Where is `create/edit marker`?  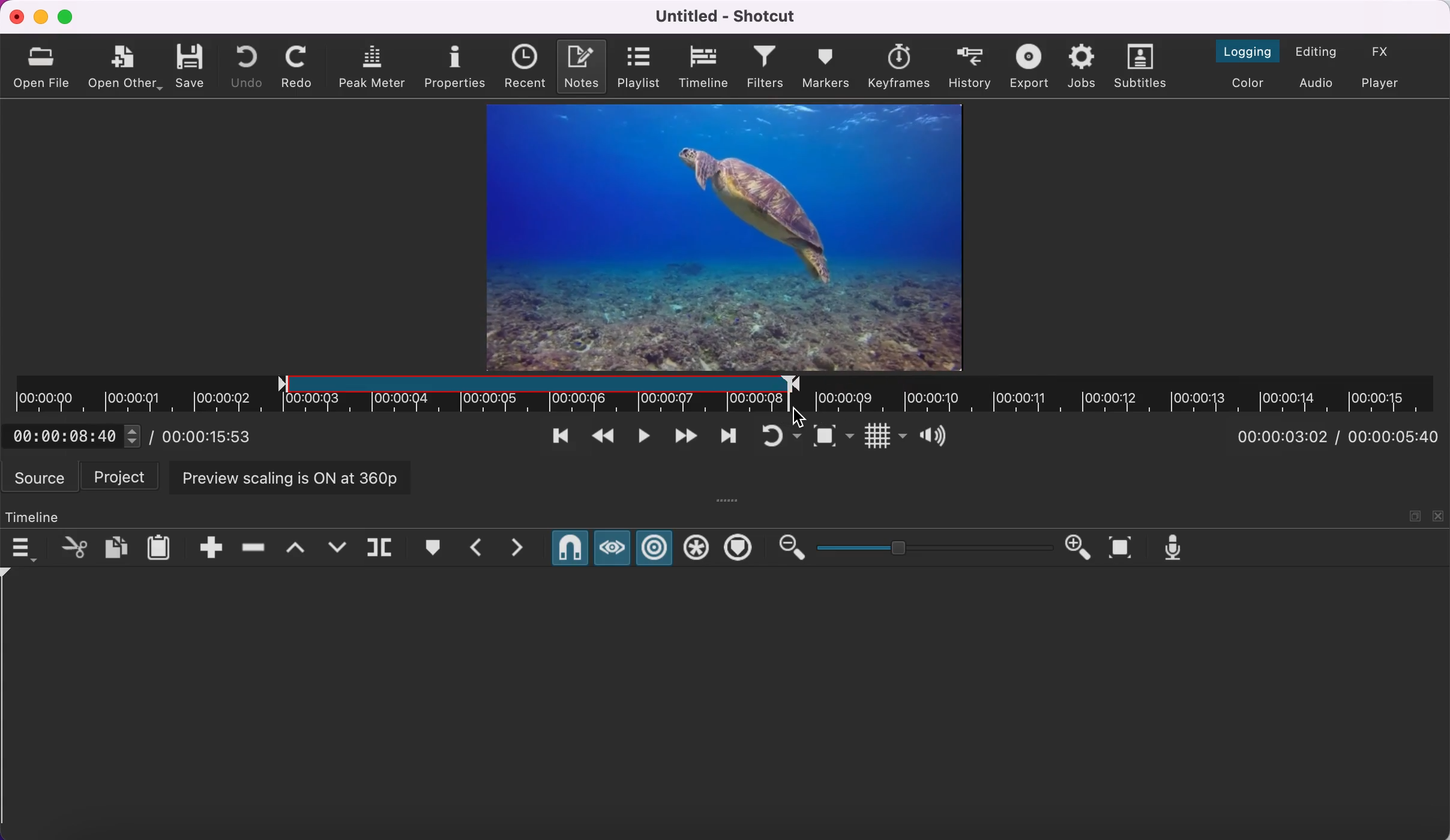 create/edit marker is located at coordinates (432, 545).